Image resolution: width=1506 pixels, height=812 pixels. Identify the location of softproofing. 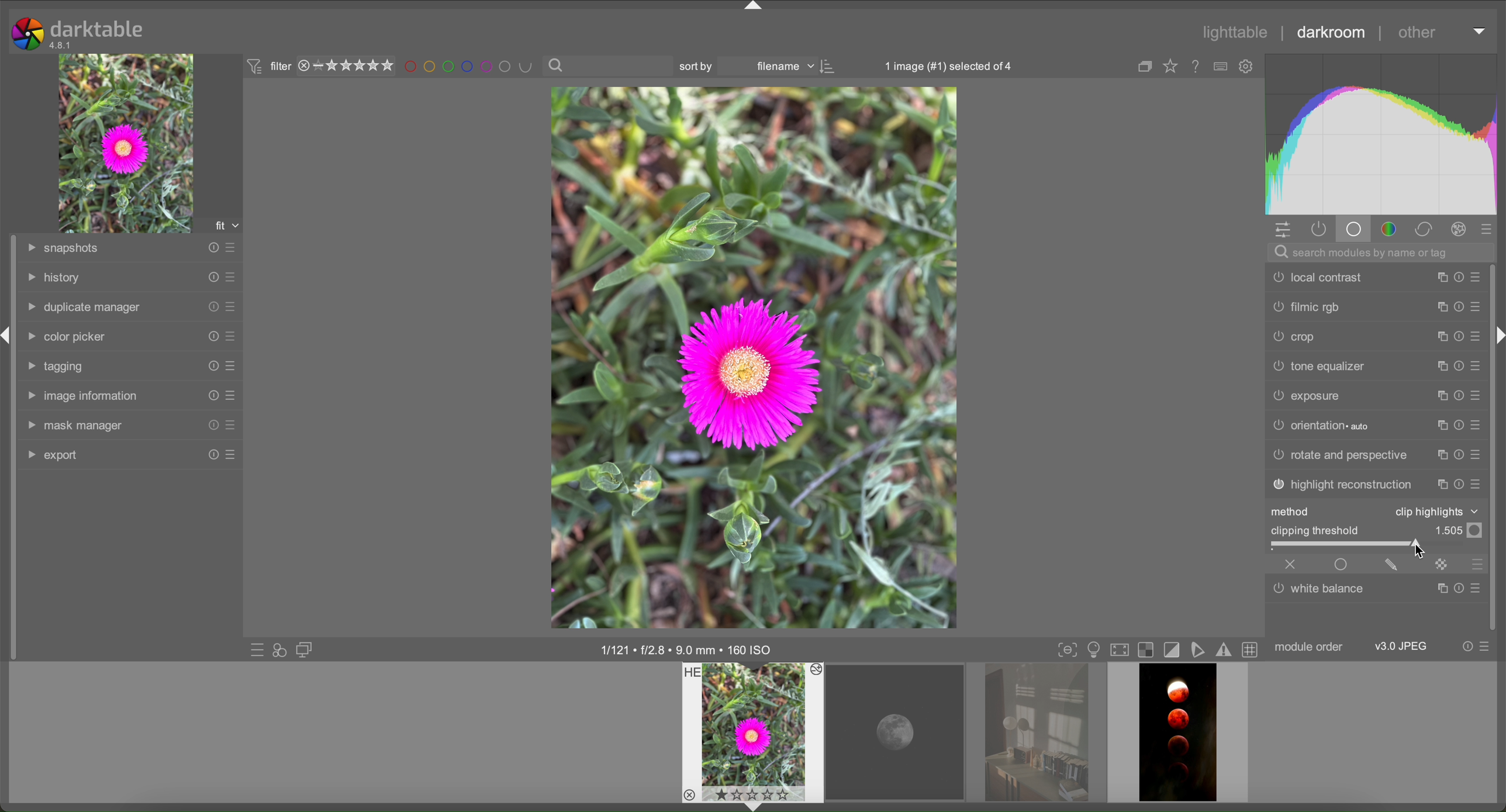
(1202, 649).